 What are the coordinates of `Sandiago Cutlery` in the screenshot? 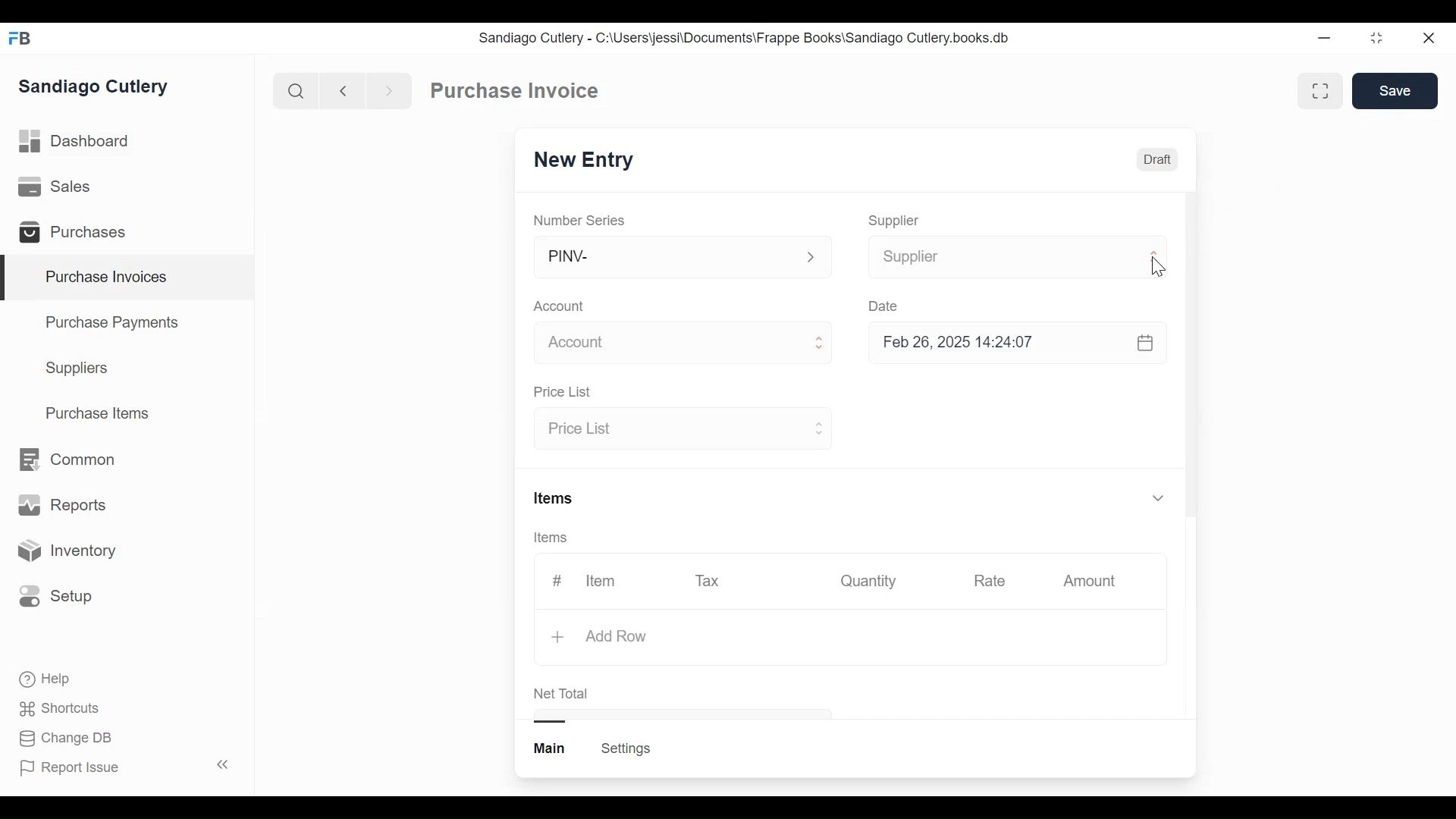 It's located at (96, 88).